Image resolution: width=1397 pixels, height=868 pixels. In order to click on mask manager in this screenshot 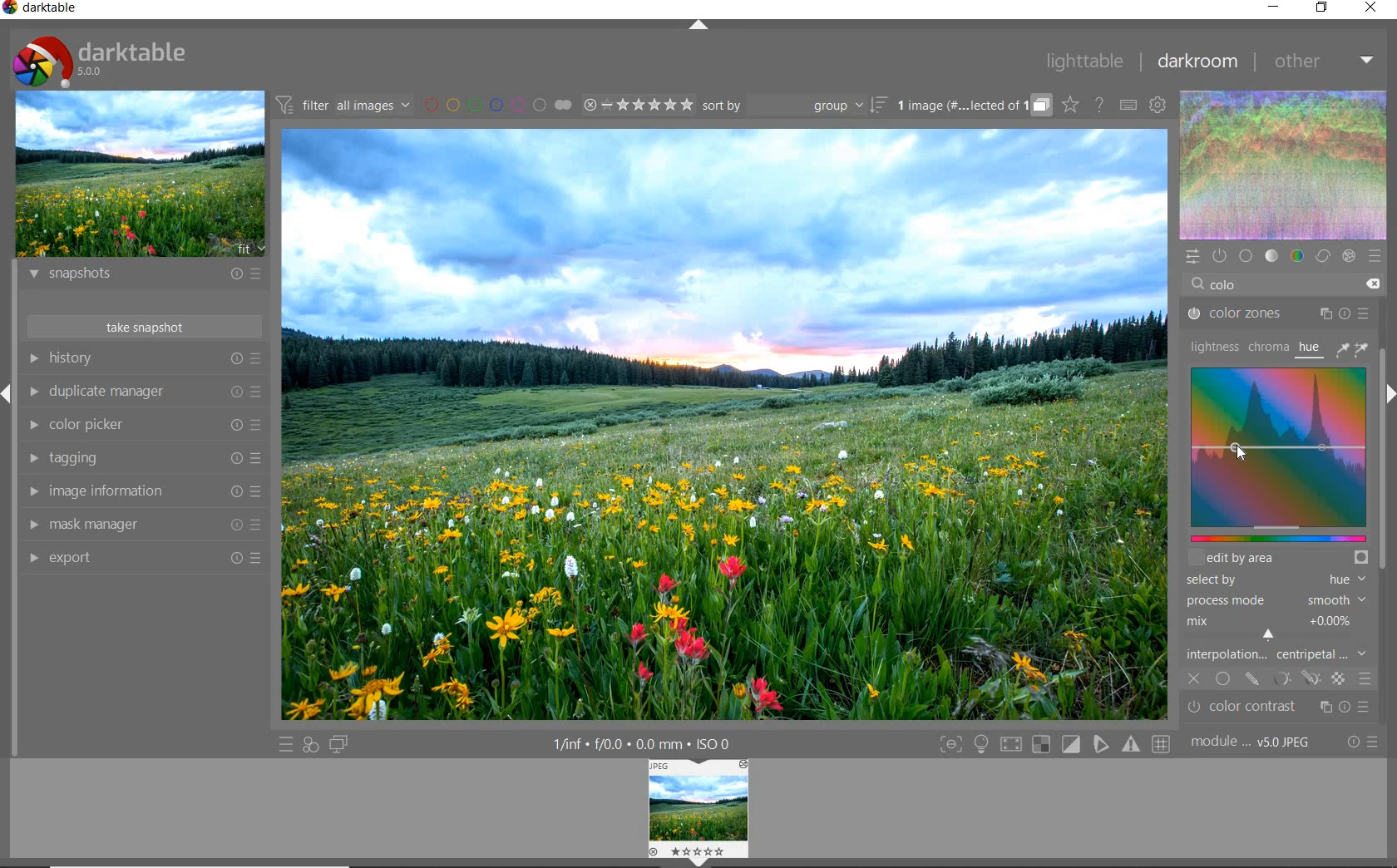, I will do `click(143, 523)`.